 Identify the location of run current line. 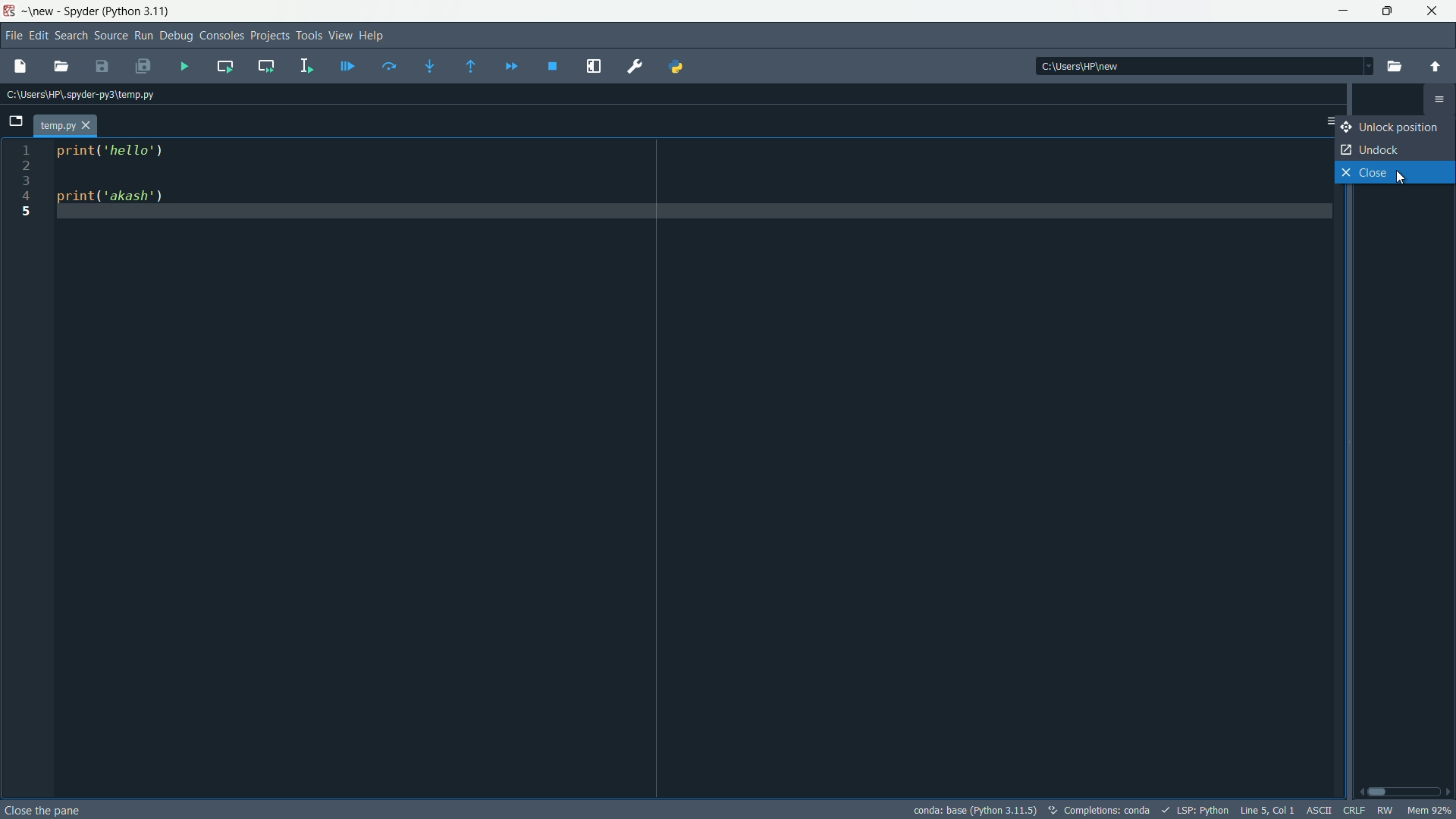
(388, 67).